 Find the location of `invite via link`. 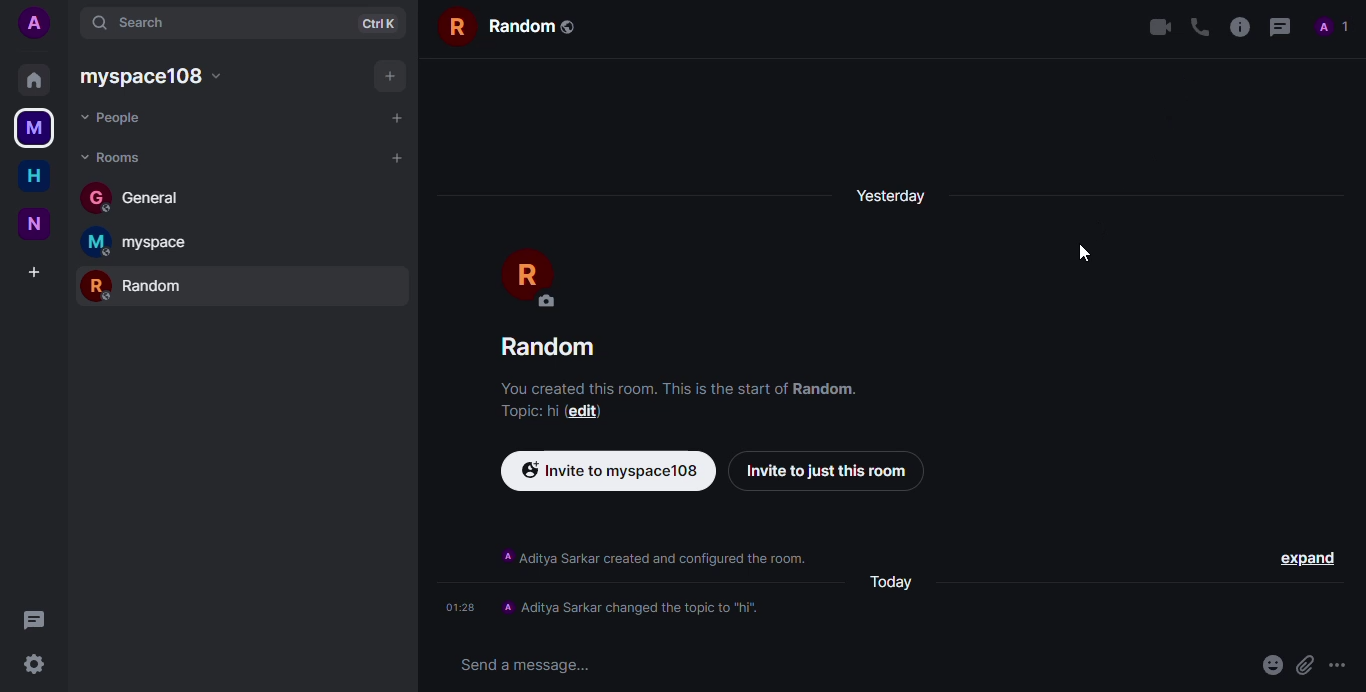

invite via link is located at coordinates (614, 469).